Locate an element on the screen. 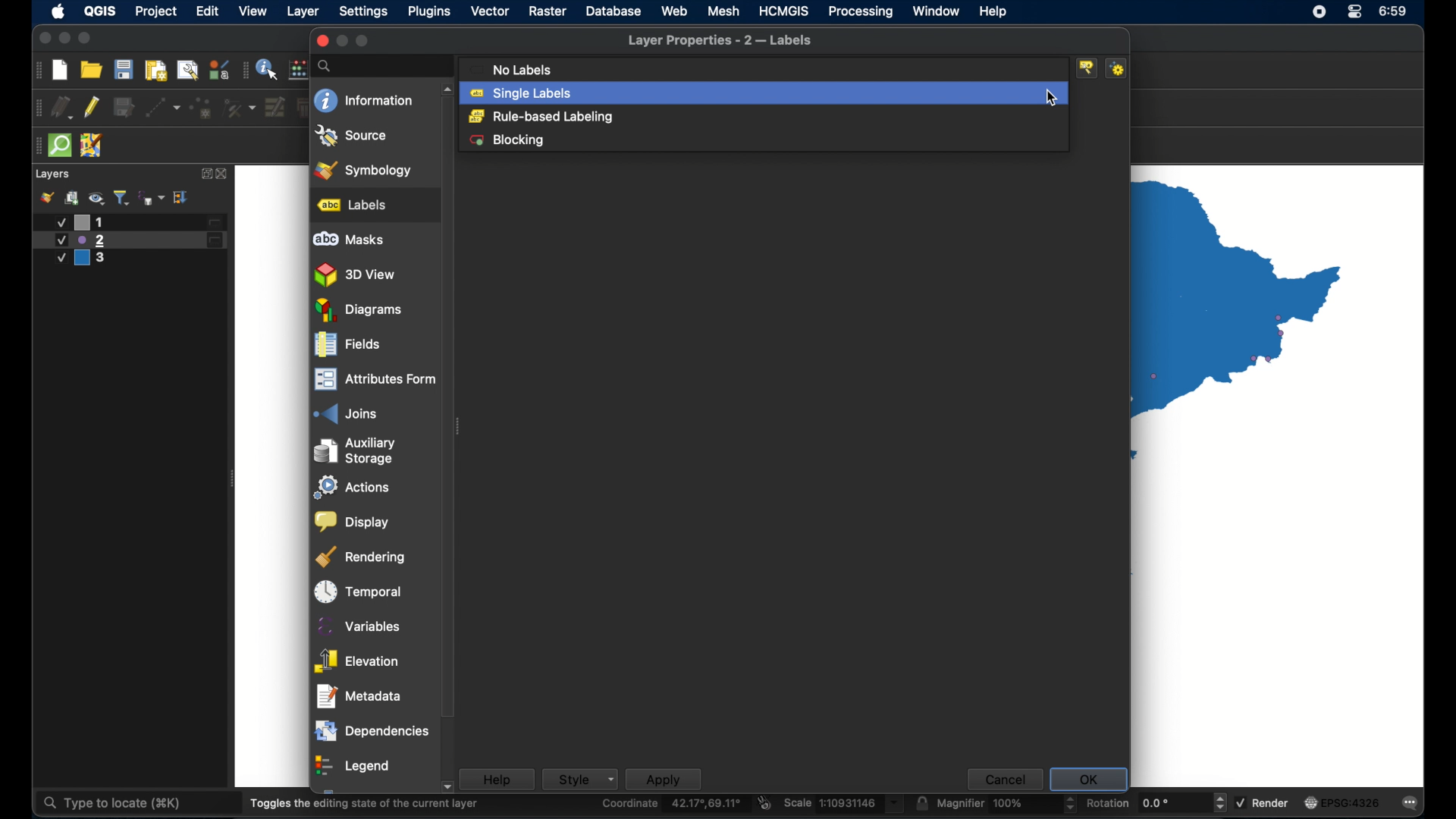 The image size is (1456, 819). project is located at coordinates (155, 11).